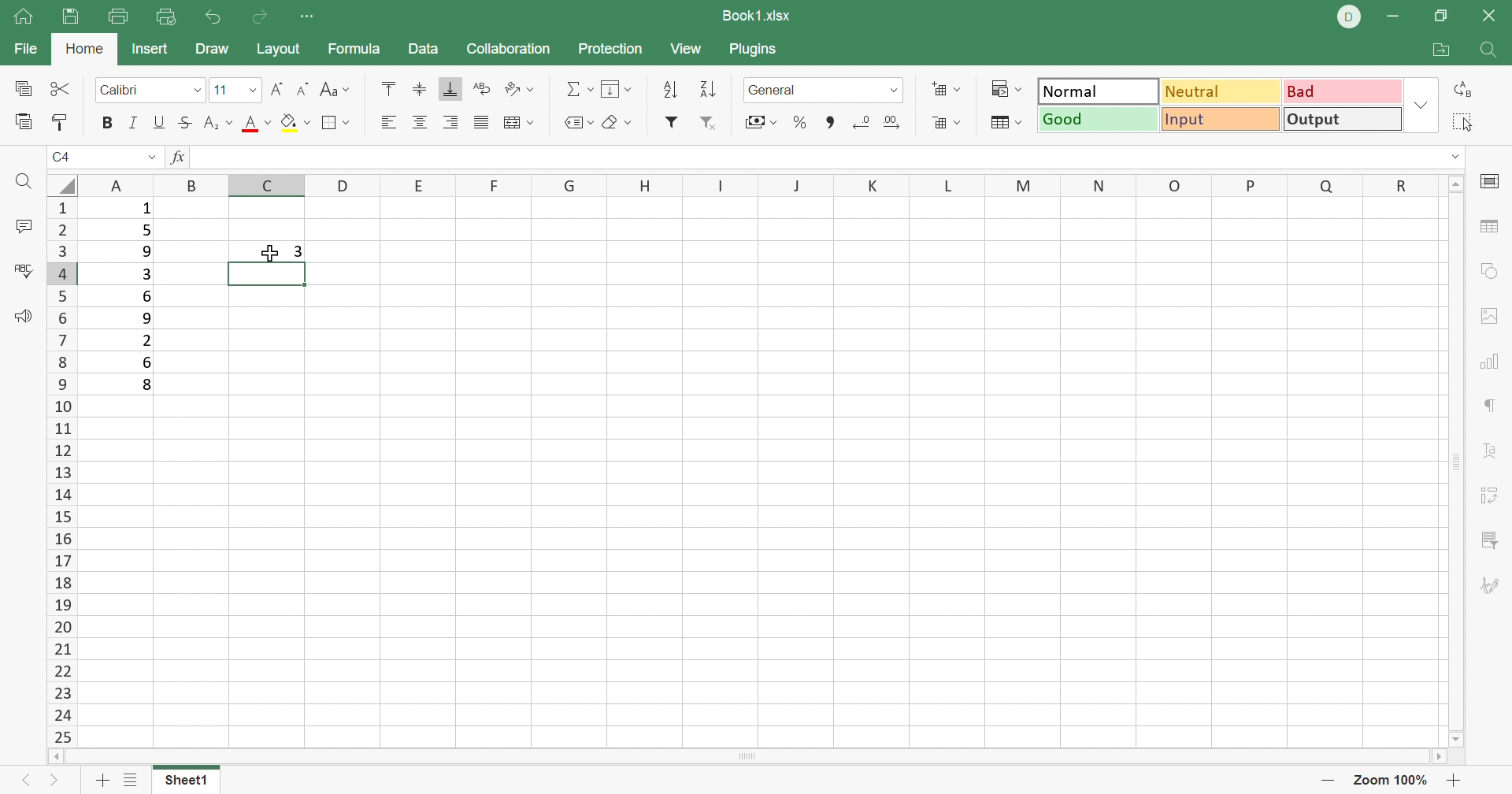  I want to click on Table settings, so click(1486, 227).